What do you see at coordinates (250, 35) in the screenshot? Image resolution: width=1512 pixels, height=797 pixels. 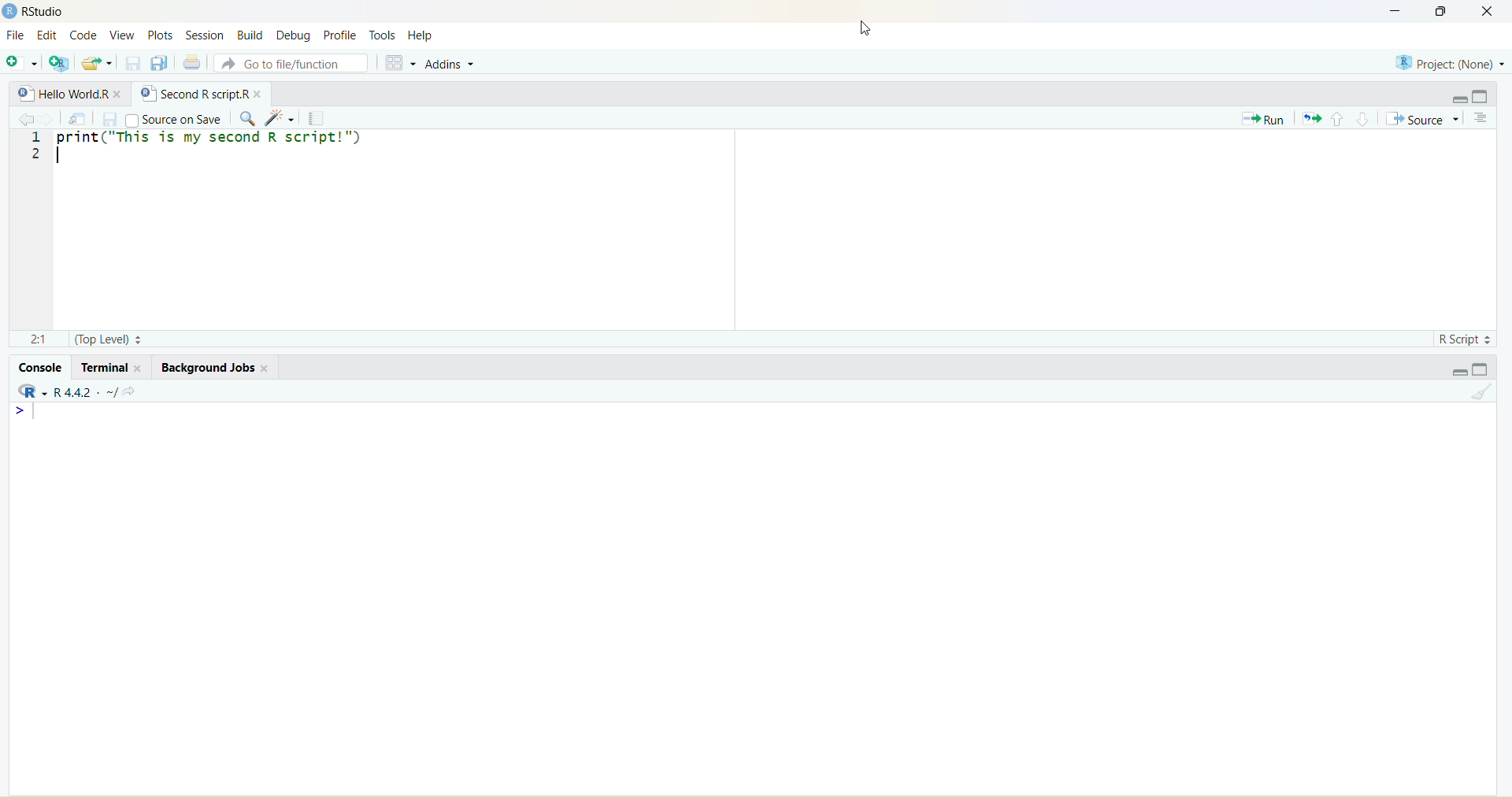 I see `Build` at bounding box center [250, 35].